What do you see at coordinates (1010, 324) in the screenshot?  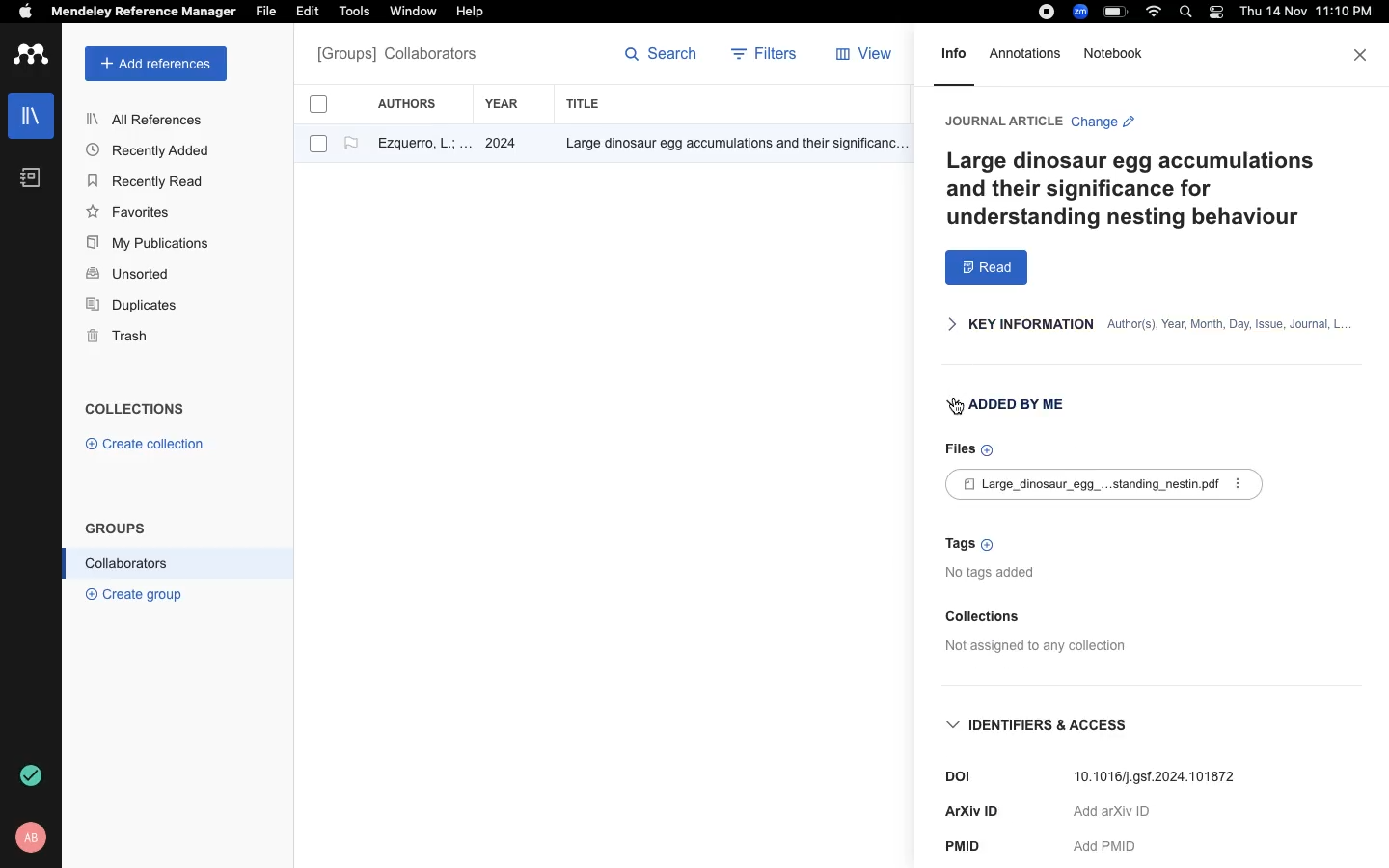 I see `KEY INFORMATION
|` at bounding box center [1010, 324].